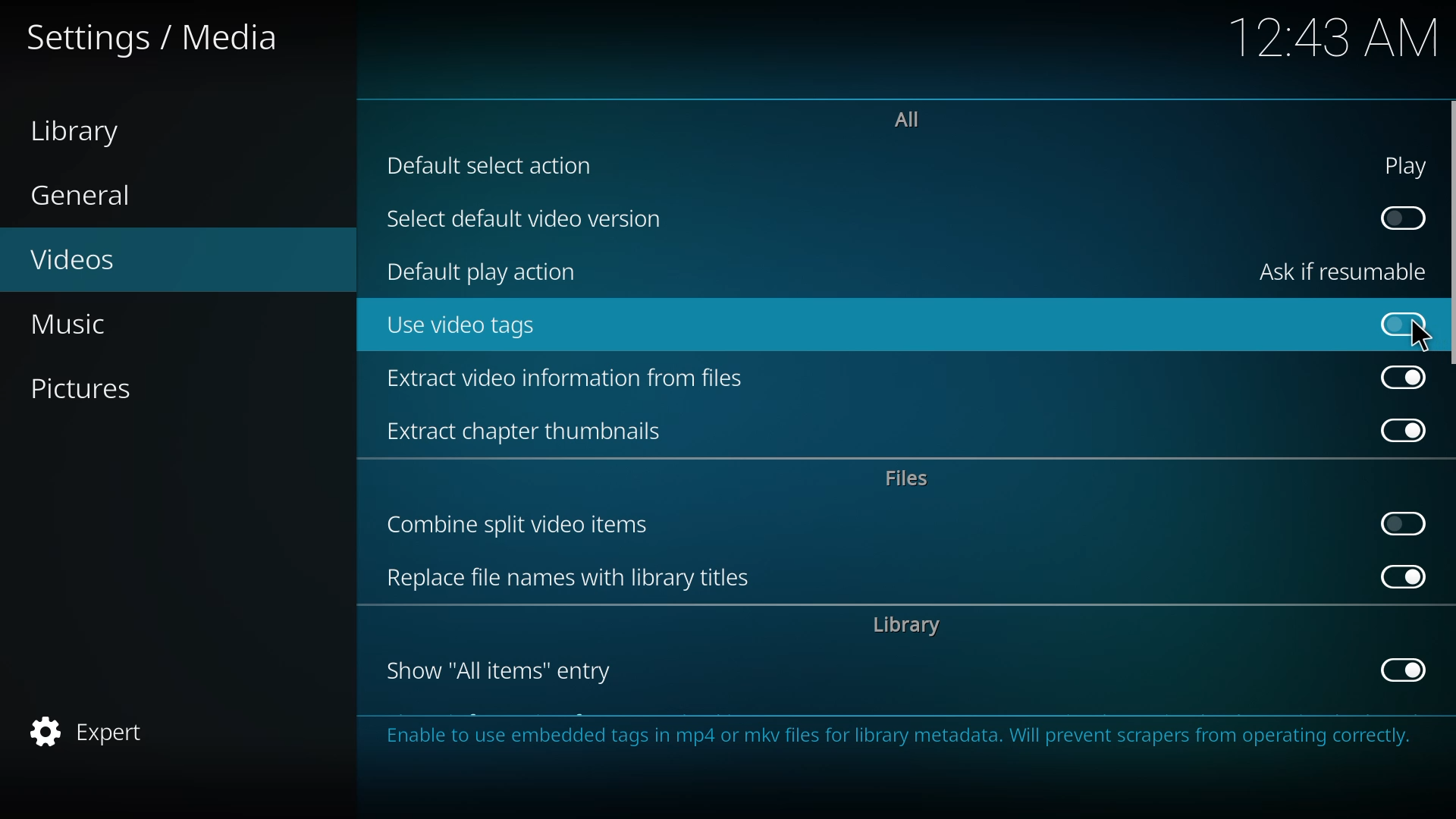 The width and height of the screenshot is (1456, 819). What do you see at coordinates (896, 741) in the screenshot?
I see `info` at bounding box center [896, 741].